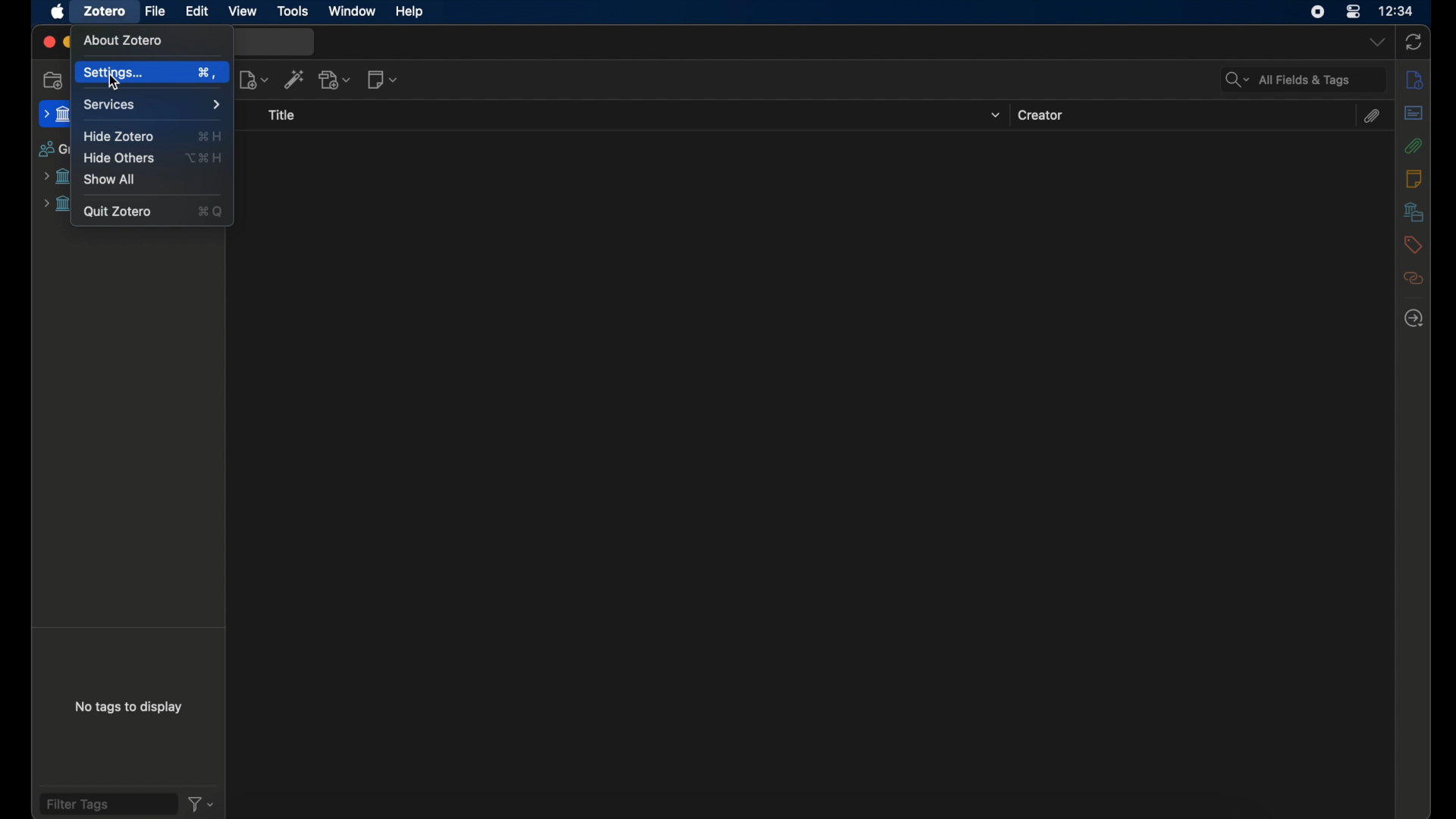  What do you see at coordinates (155, 11) in the screenshot?
I see `file` at bounding box center [155, 11].